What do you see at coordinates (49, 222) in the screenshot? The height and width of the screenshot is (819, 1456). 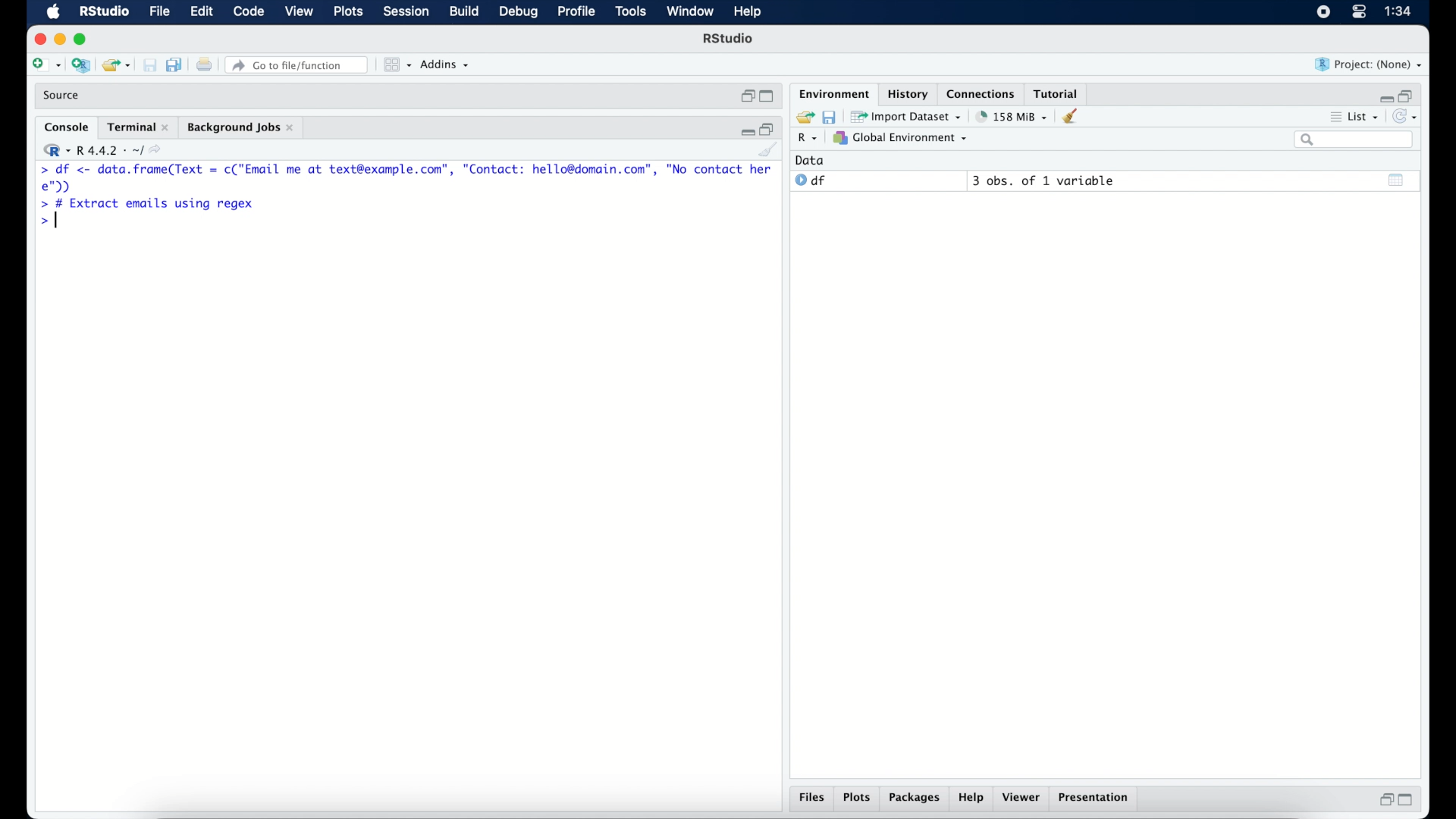 I see `>|` at bounding box center [49, 222].